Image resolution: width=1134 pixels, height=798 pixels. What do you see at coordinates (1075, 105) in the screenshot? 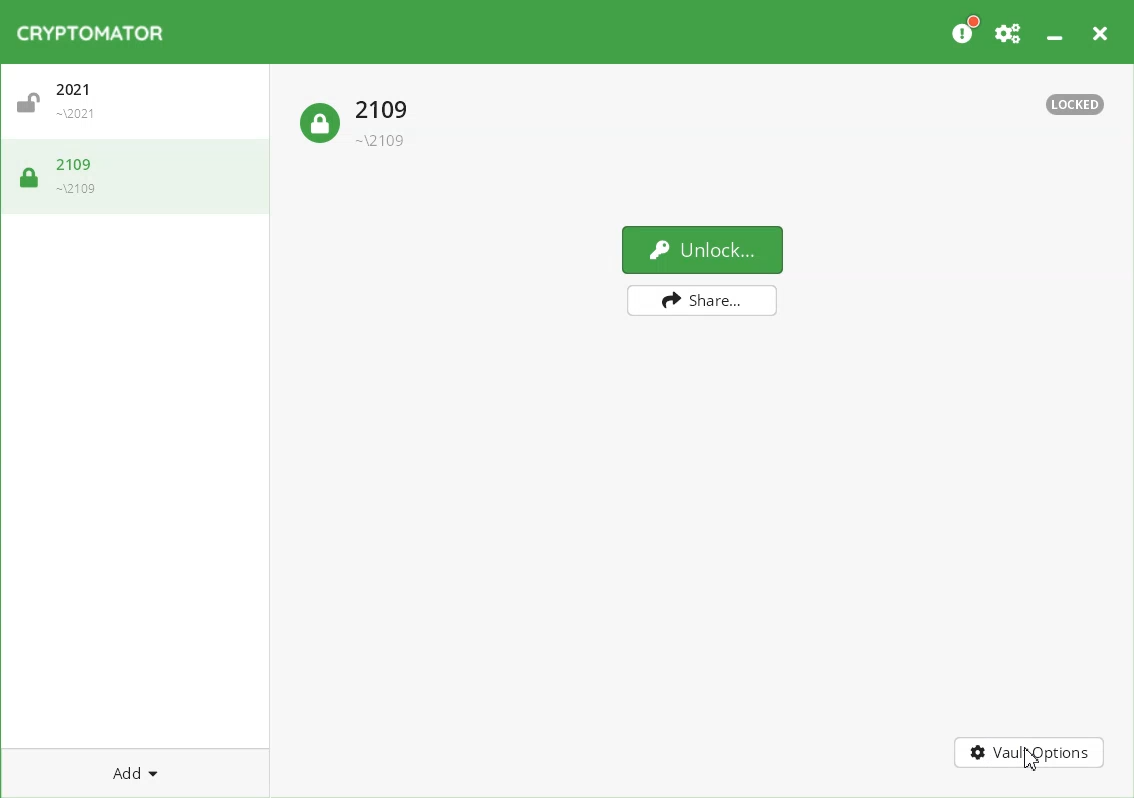
I see `Text` at bounding box center [1075, 105].